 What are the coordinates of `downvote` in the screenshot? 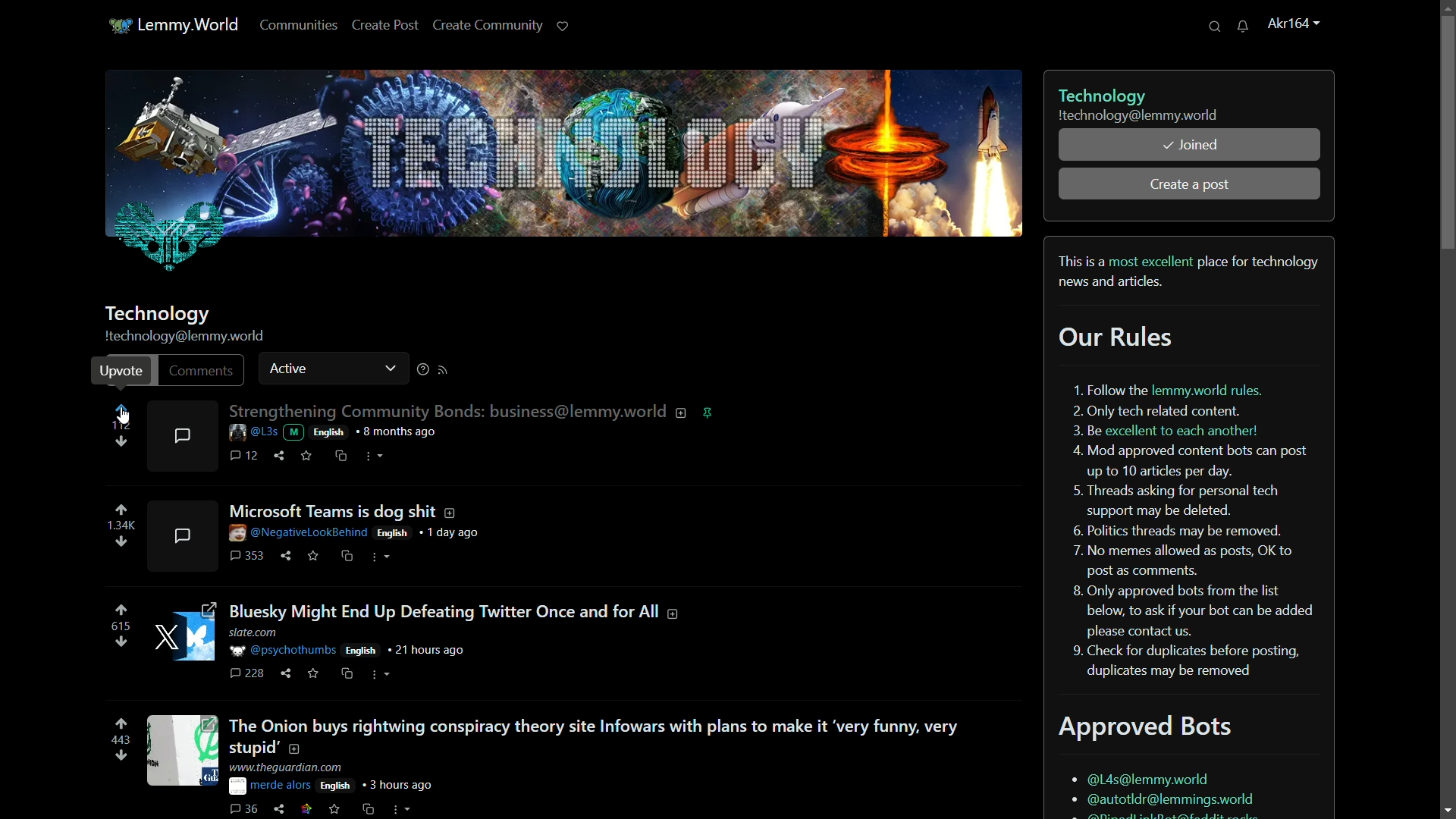 It's located at (121, 755).